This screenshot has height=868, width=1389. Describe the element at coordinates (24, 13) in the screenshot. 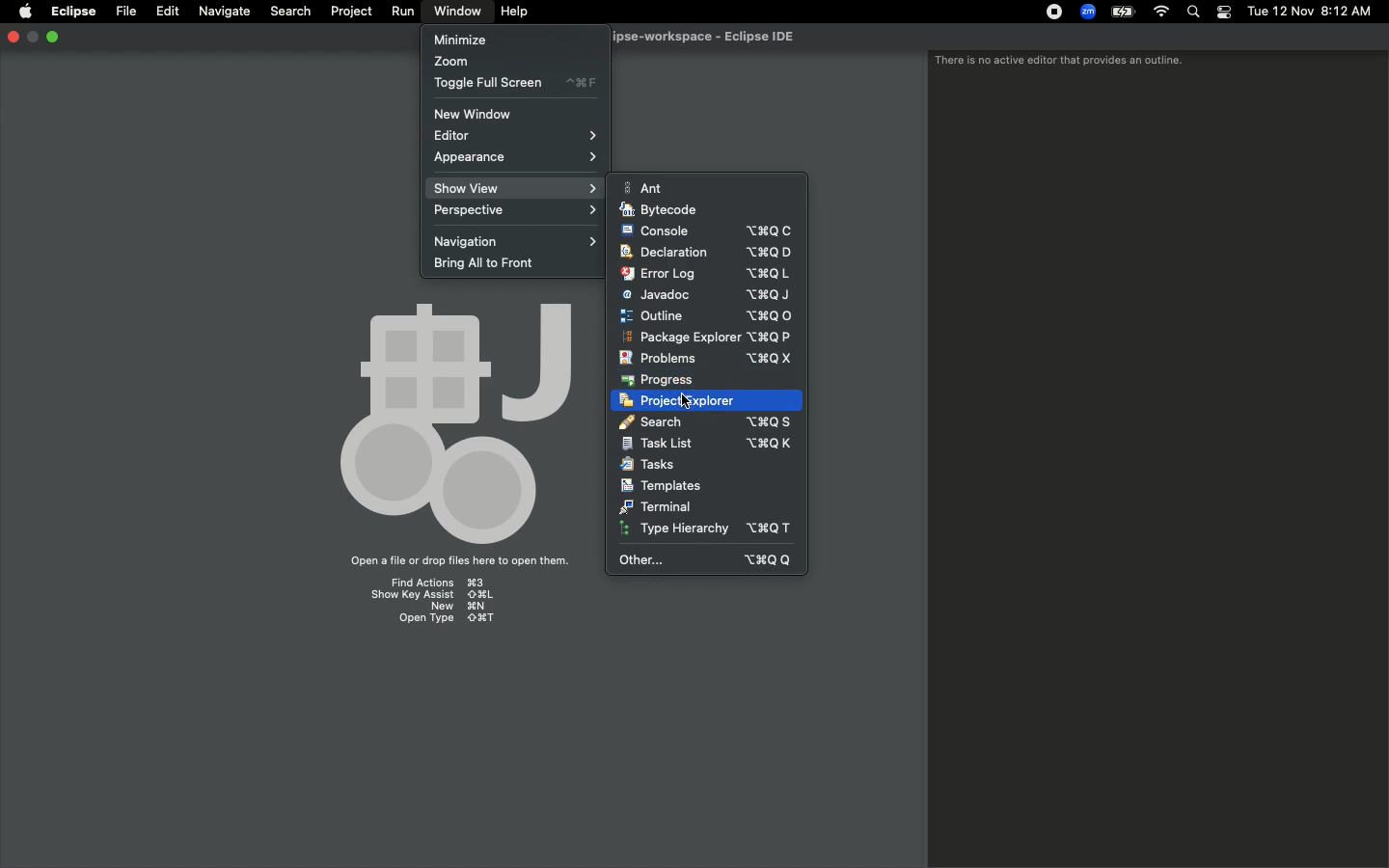

I see `Apple logo` at that location.